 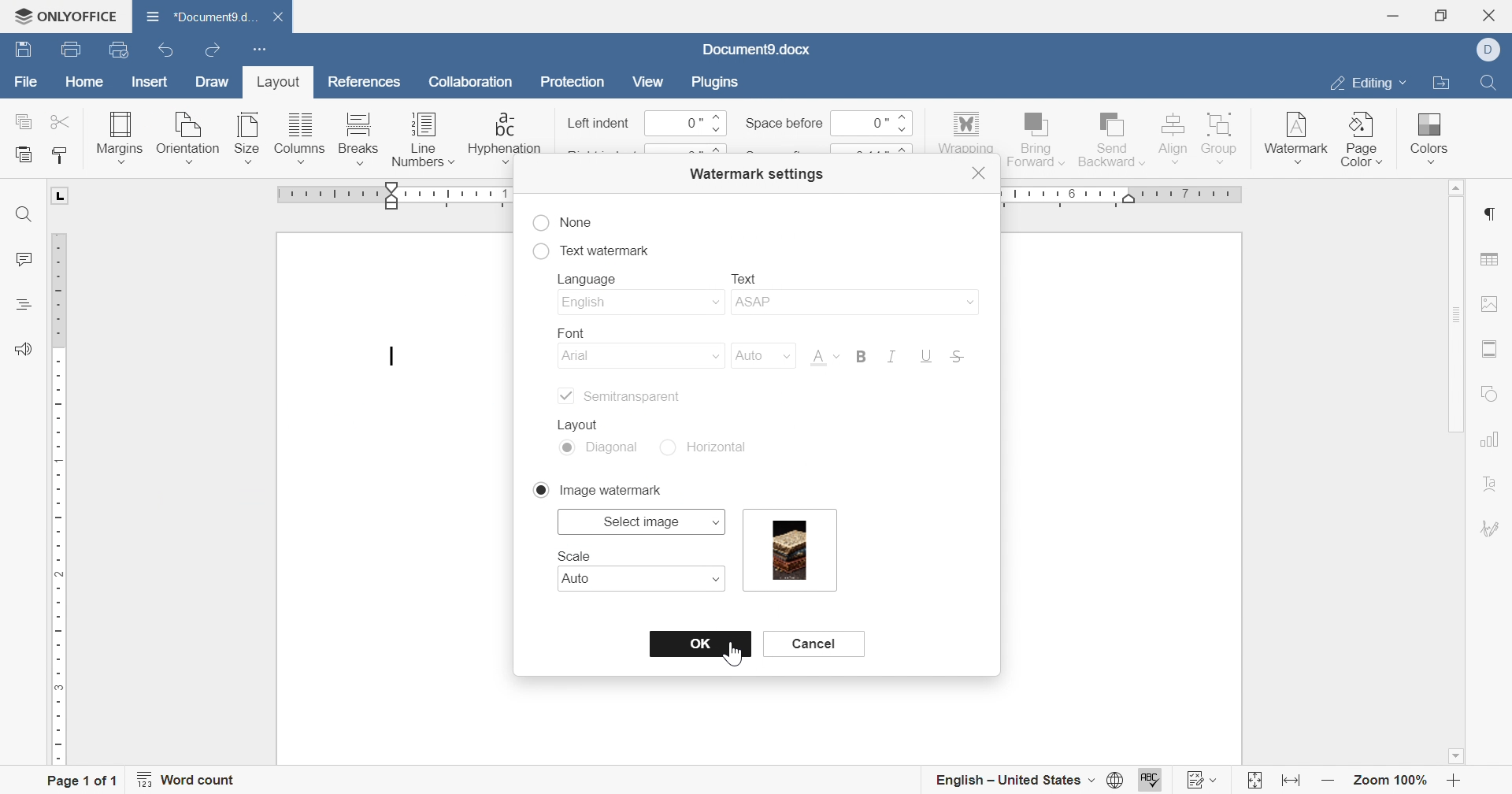 What do you see at coordinates (504, 138) in the screenshot?
I see `hyphenation` at bounding box center [504, 138].